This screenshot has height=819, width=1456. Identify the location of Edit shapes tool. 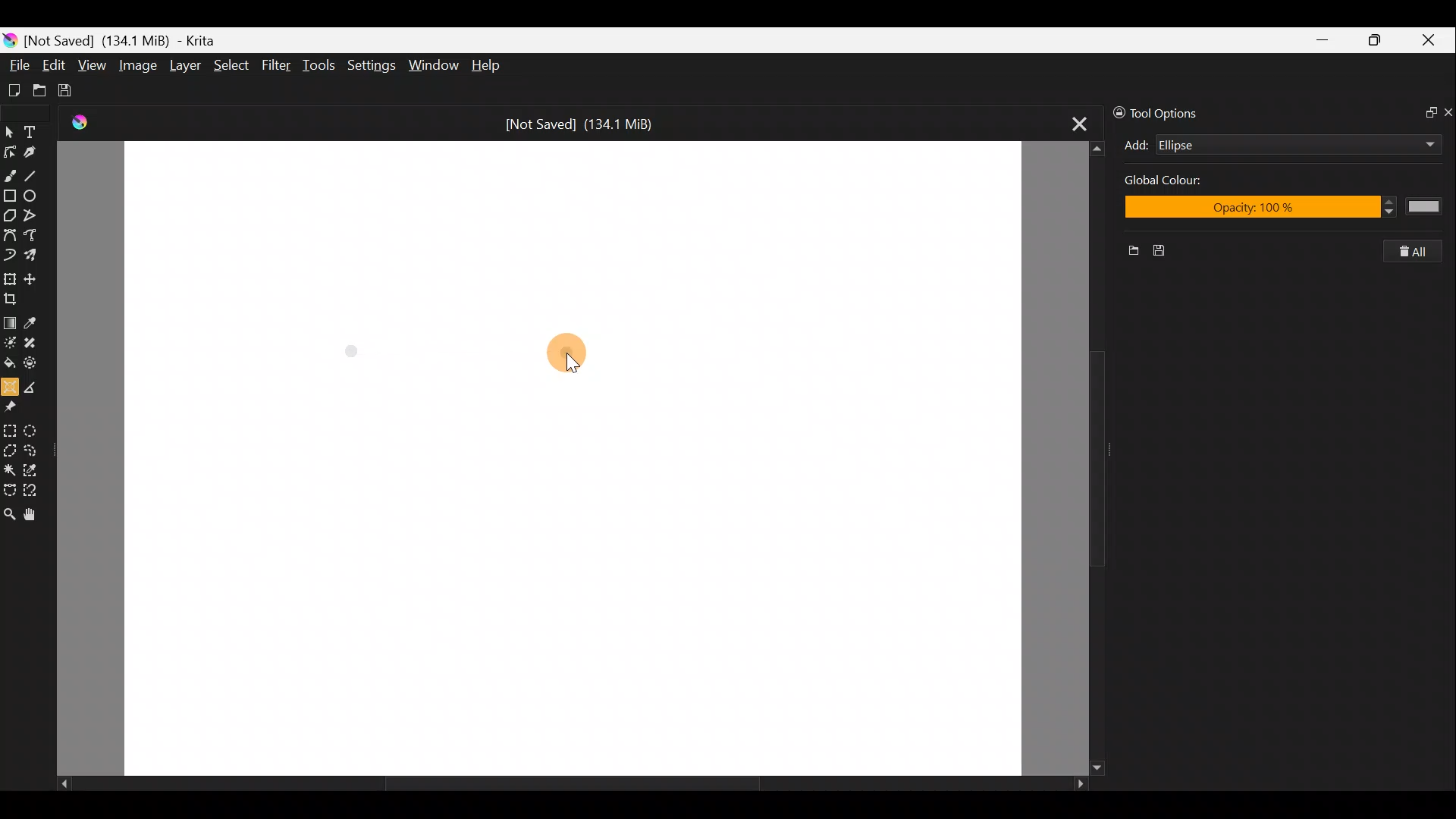
(12, 149).